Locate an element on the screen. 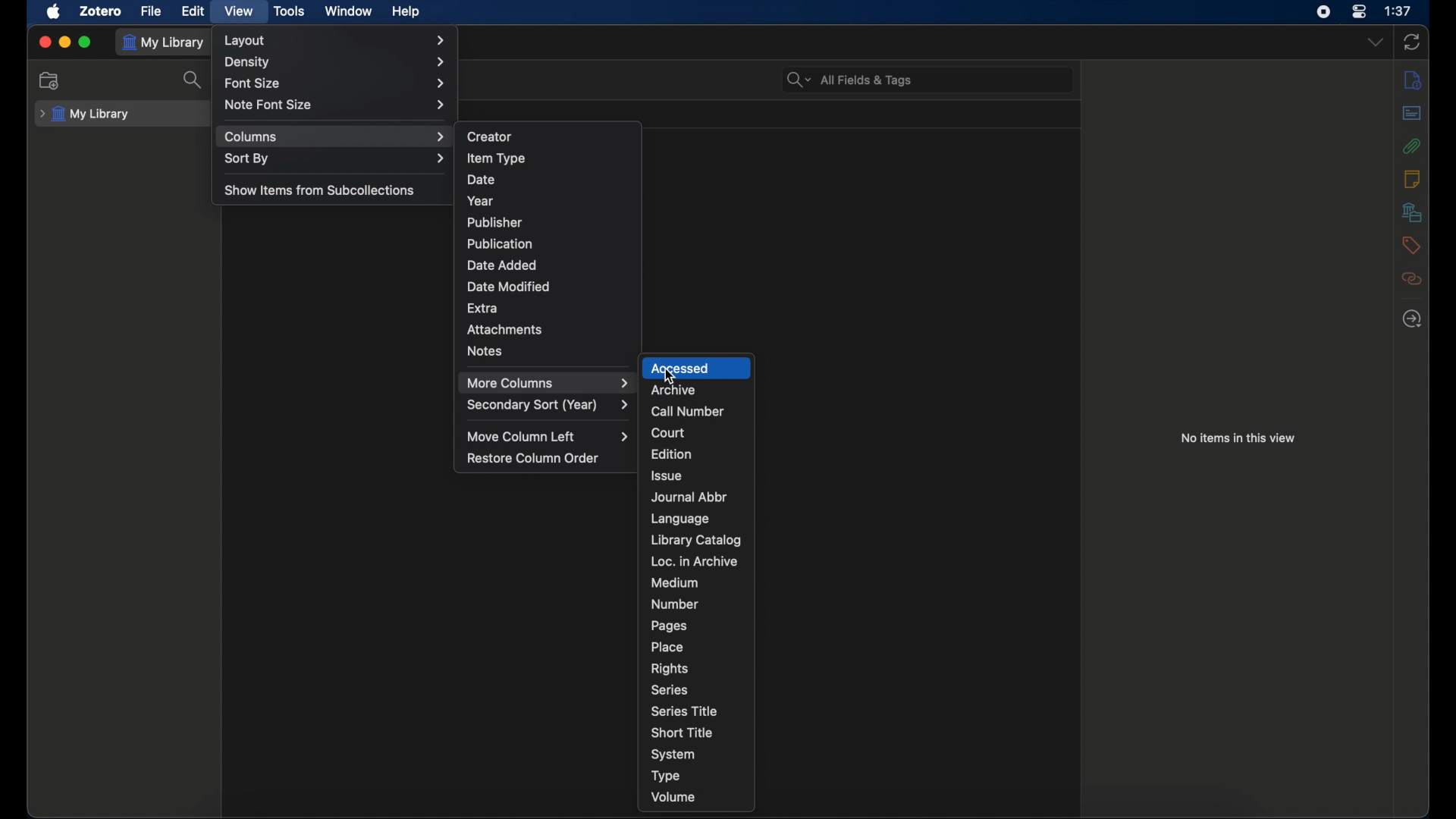  year is located at coordinates (482, 201).